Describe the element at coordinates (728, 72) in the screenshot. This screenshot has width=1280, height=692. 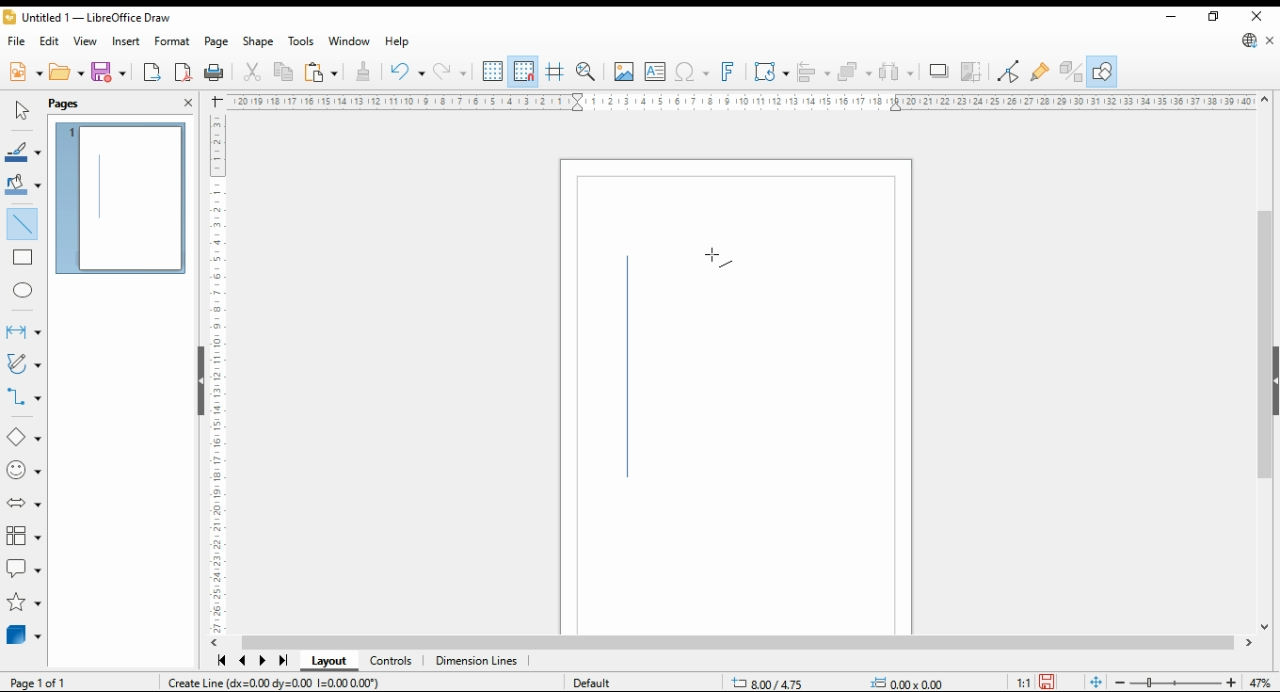
I see `insert fontwork text` at that location.